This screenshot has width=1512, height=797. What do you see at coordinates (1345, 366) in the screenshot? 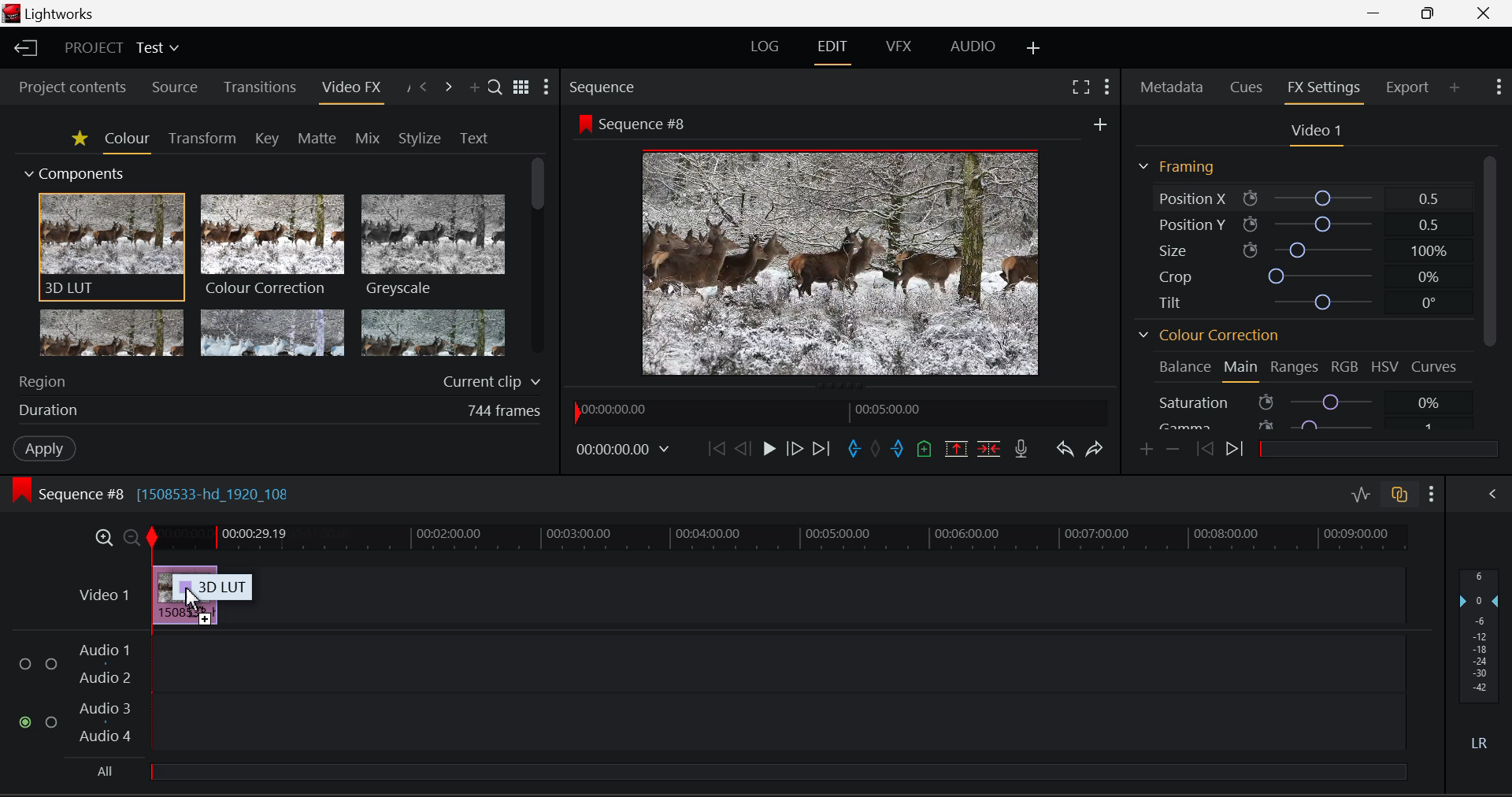
I see `RGB` at bounding box center [1345, 366].